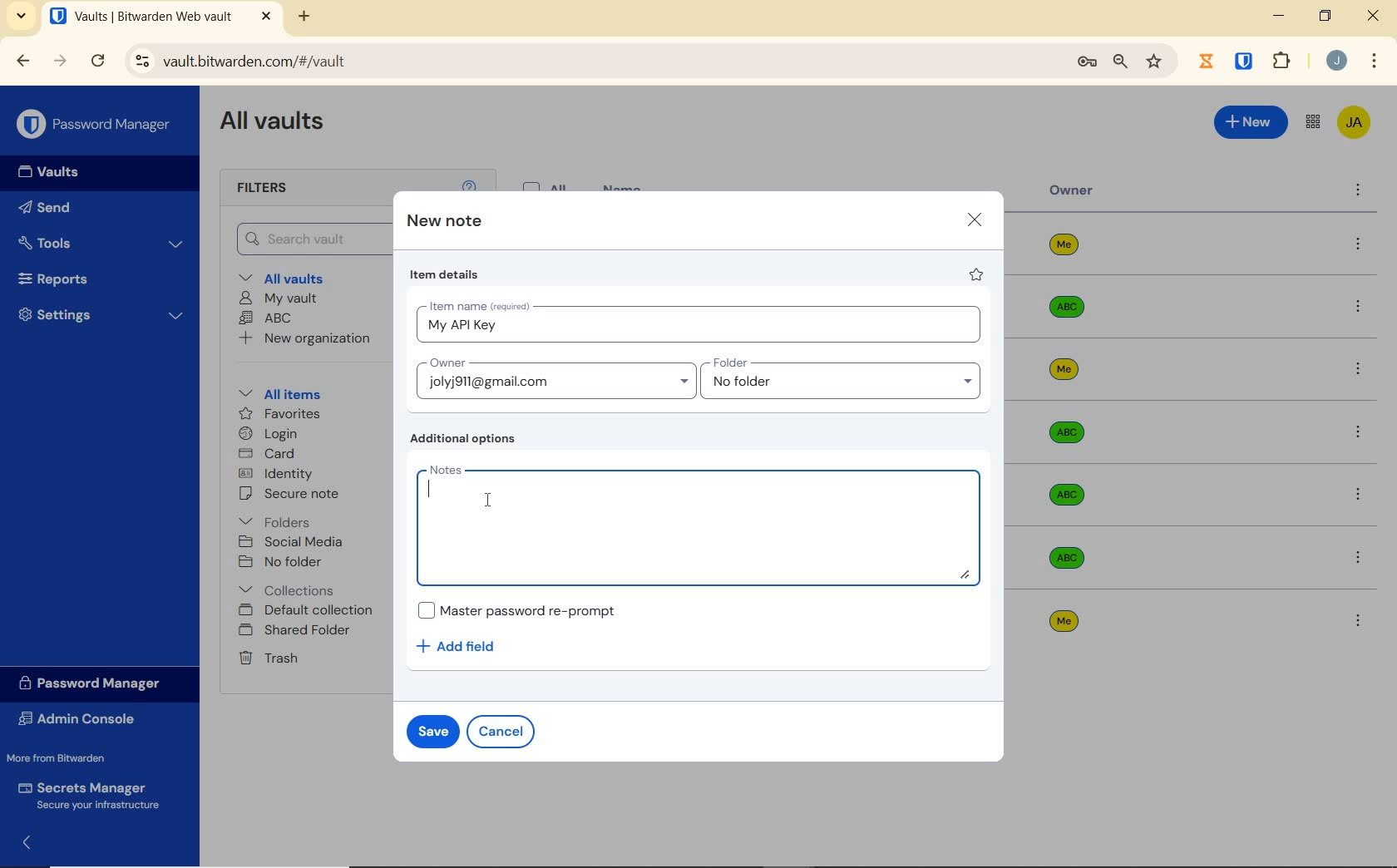 This screenshot has height=868, width=1397. What do you see at coordinates (1359, 245) in the screenshot?
I see `more options` at bounding box center [1359, 245].